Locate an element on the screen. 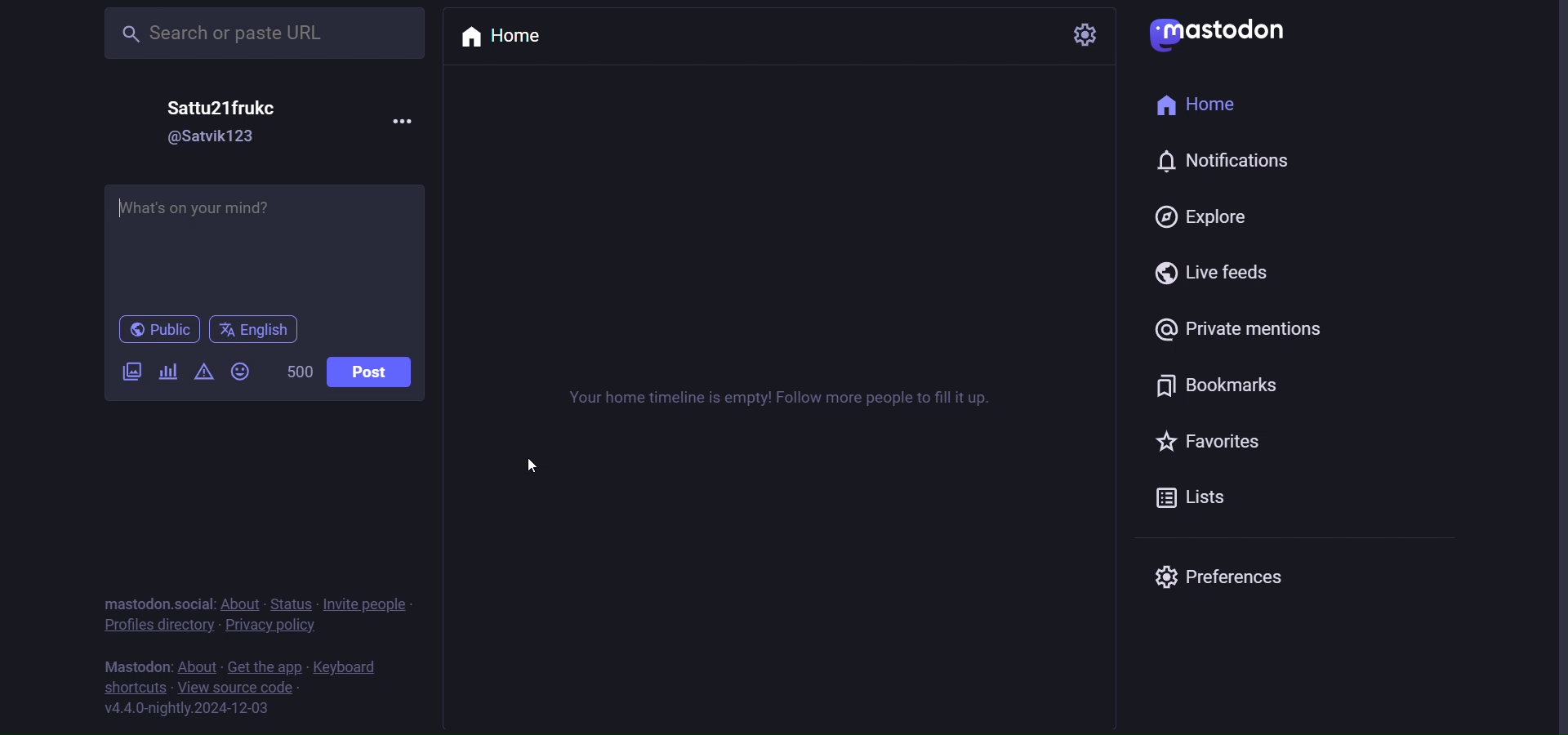  poll is located at coordinates (171, 372).